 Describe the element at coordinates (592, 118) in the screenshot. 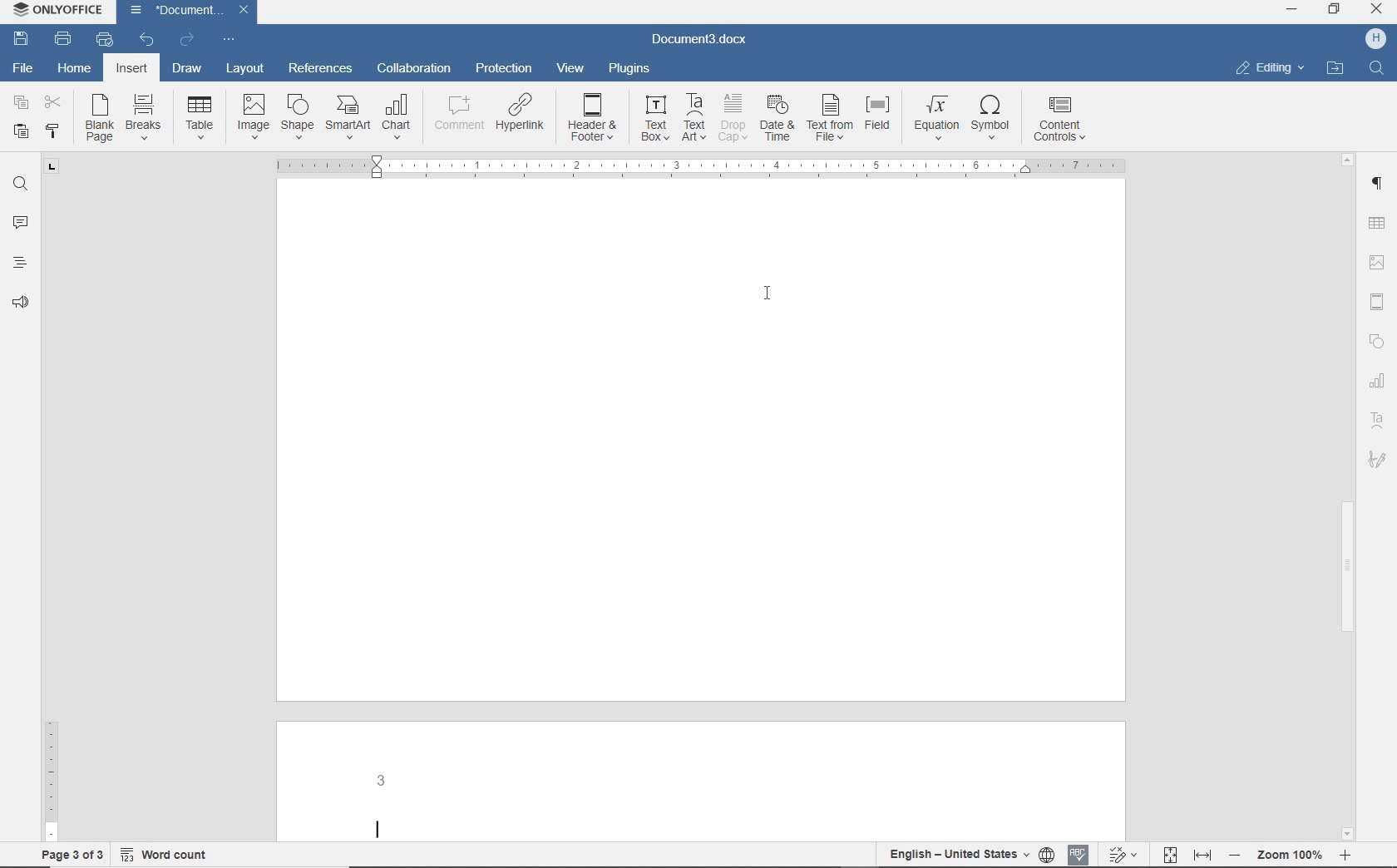

I see `HEADER & FOOTER` at that location.